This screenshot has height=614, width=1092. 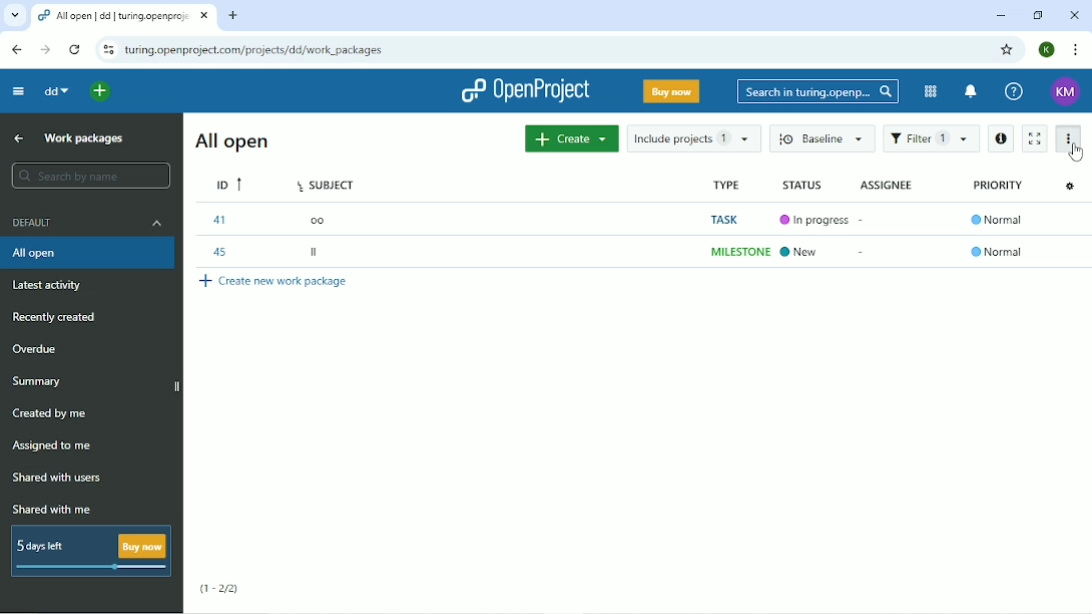 What do you see at coordinates (824, 139) in the screenshot?
I see `Baseline` at bounding box center [824, 139].